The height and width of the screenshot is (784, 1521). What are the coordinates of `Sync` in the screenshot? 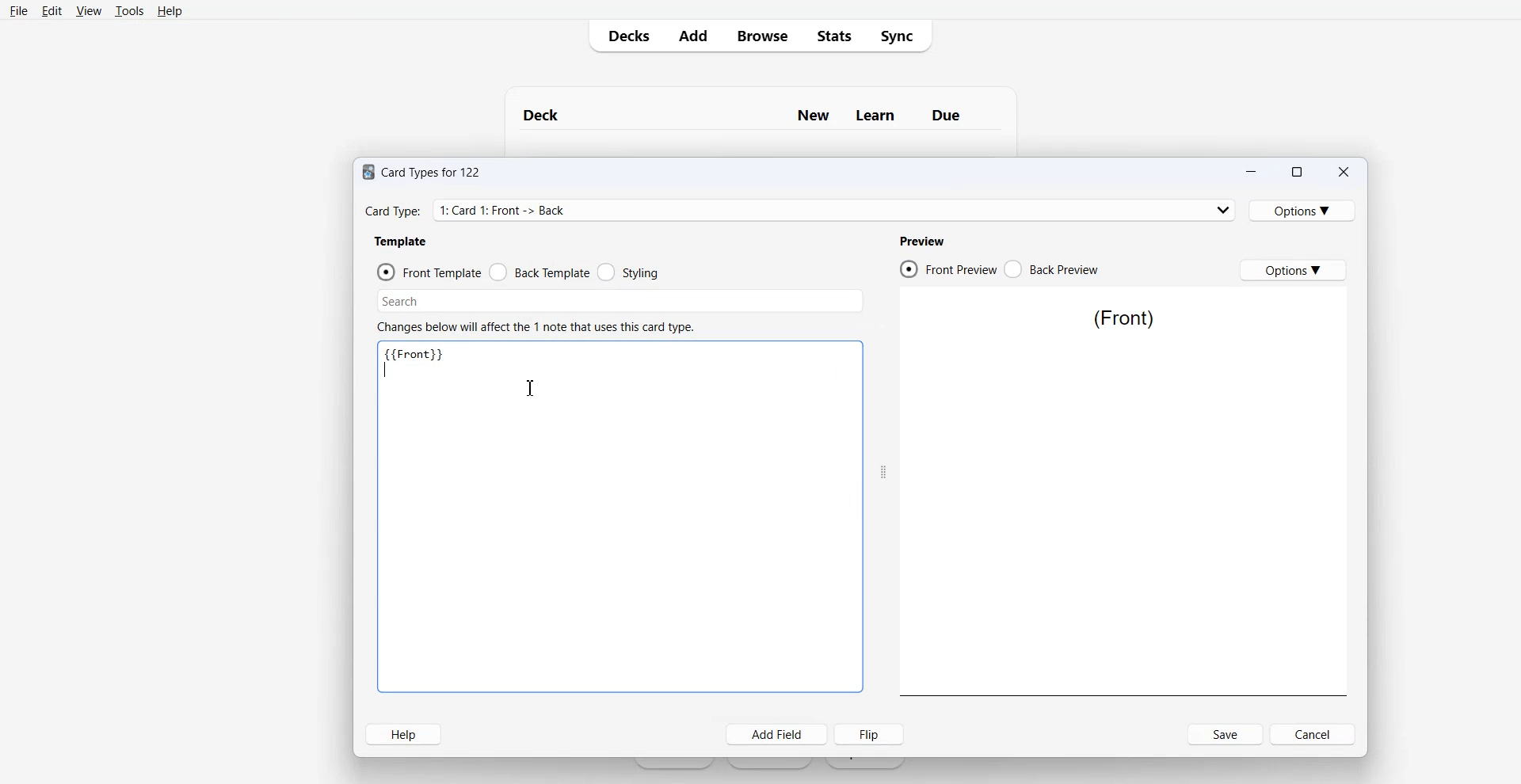 It's located at (902, 36).